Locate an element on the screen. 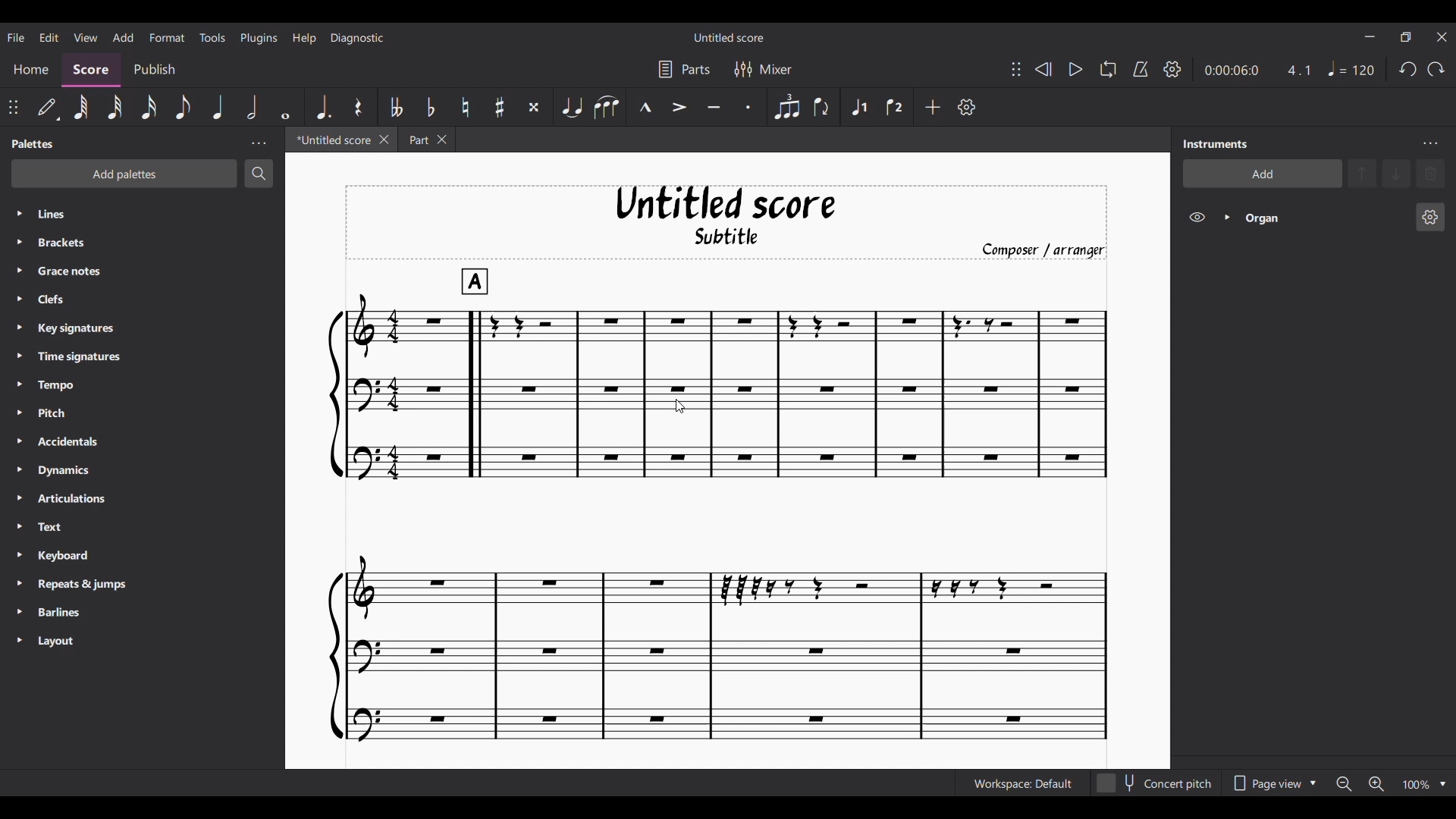 The height and width of the screenshot is (819, 1456). View menu is located at coordinates (86, 36).